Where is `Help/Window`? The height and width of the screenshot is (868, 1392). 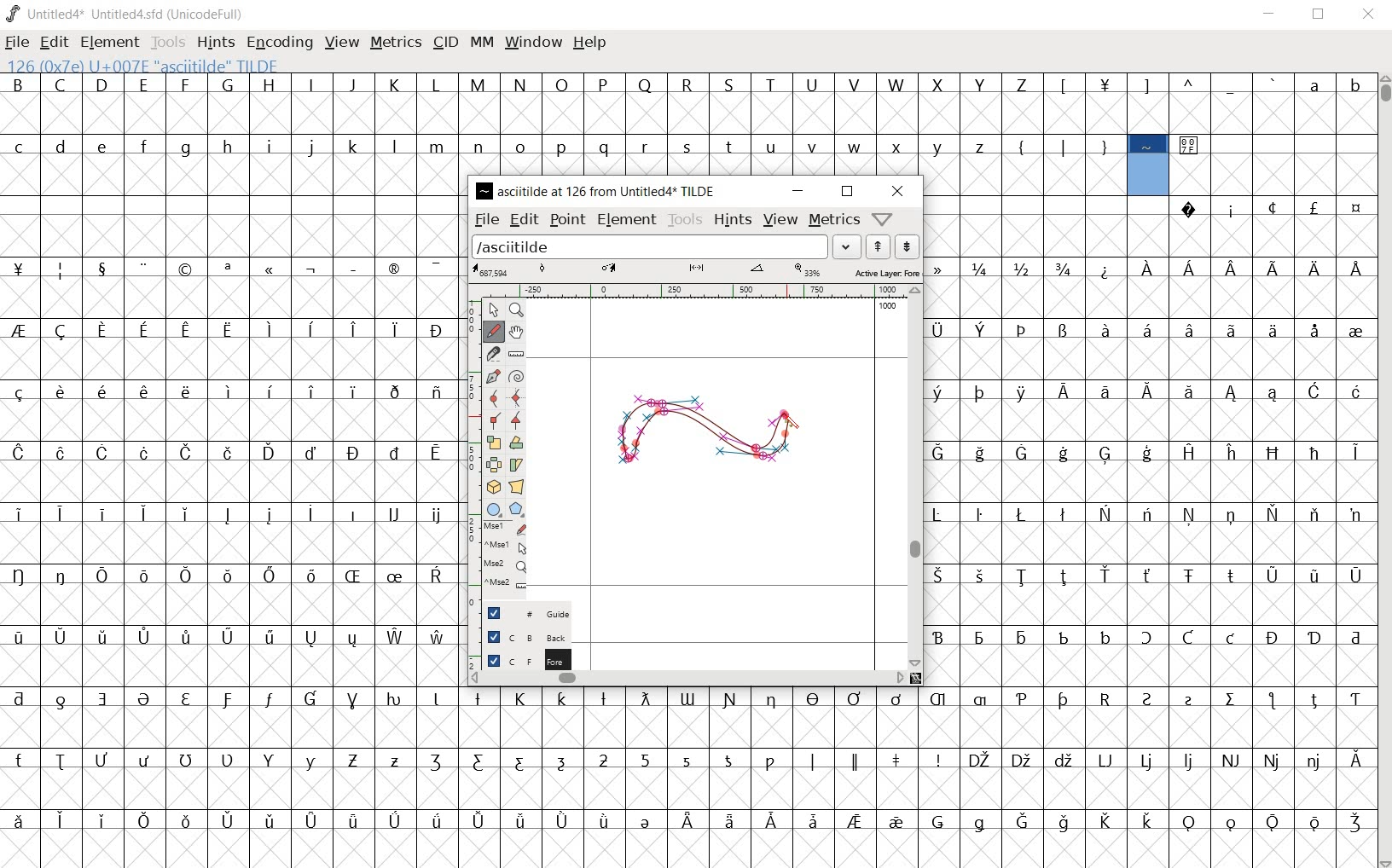
Help/Window is located at coordinates (884, 219).